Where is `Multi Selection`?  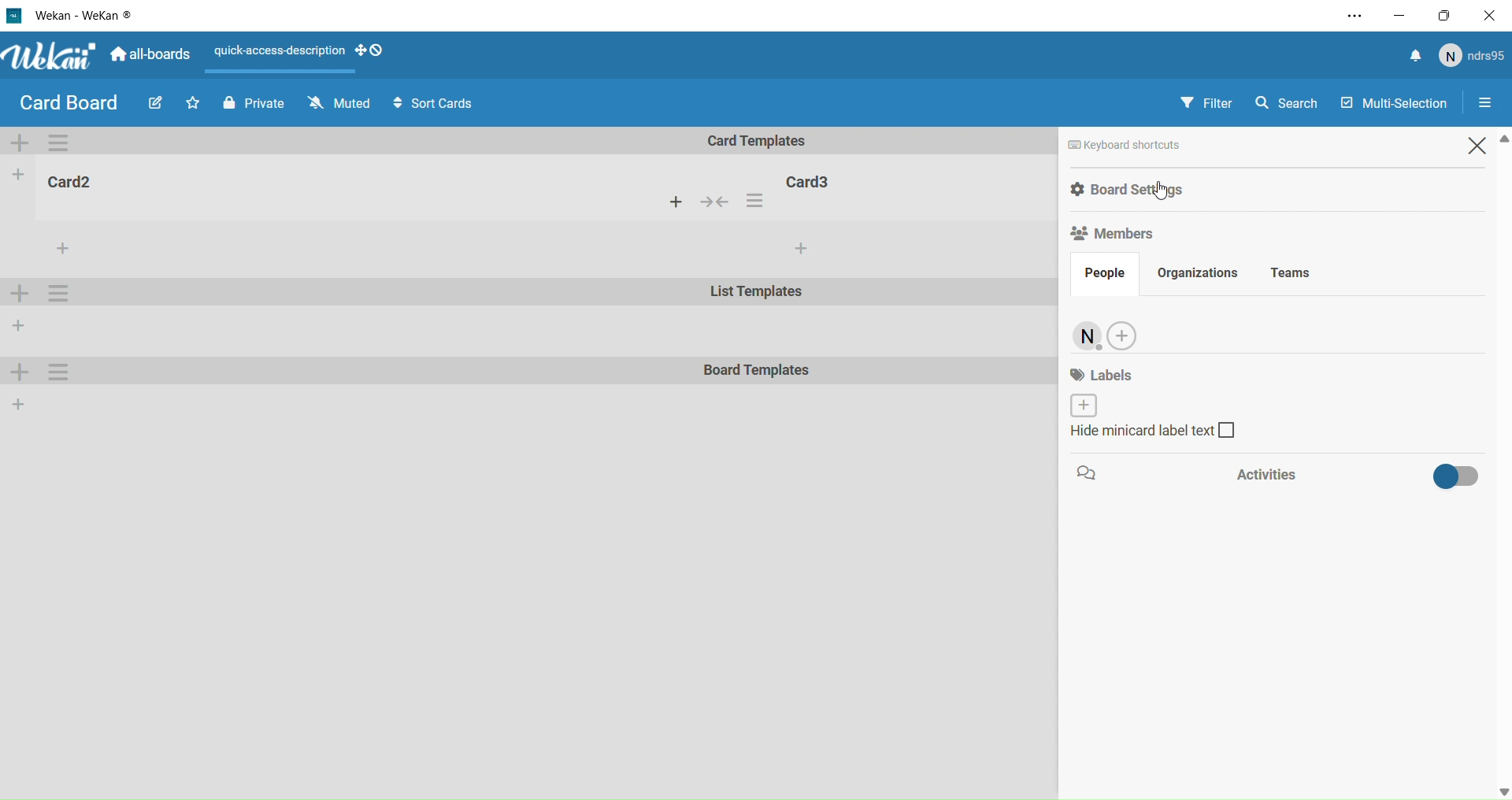
Multi Selection is located at coordinates (1392, 99).